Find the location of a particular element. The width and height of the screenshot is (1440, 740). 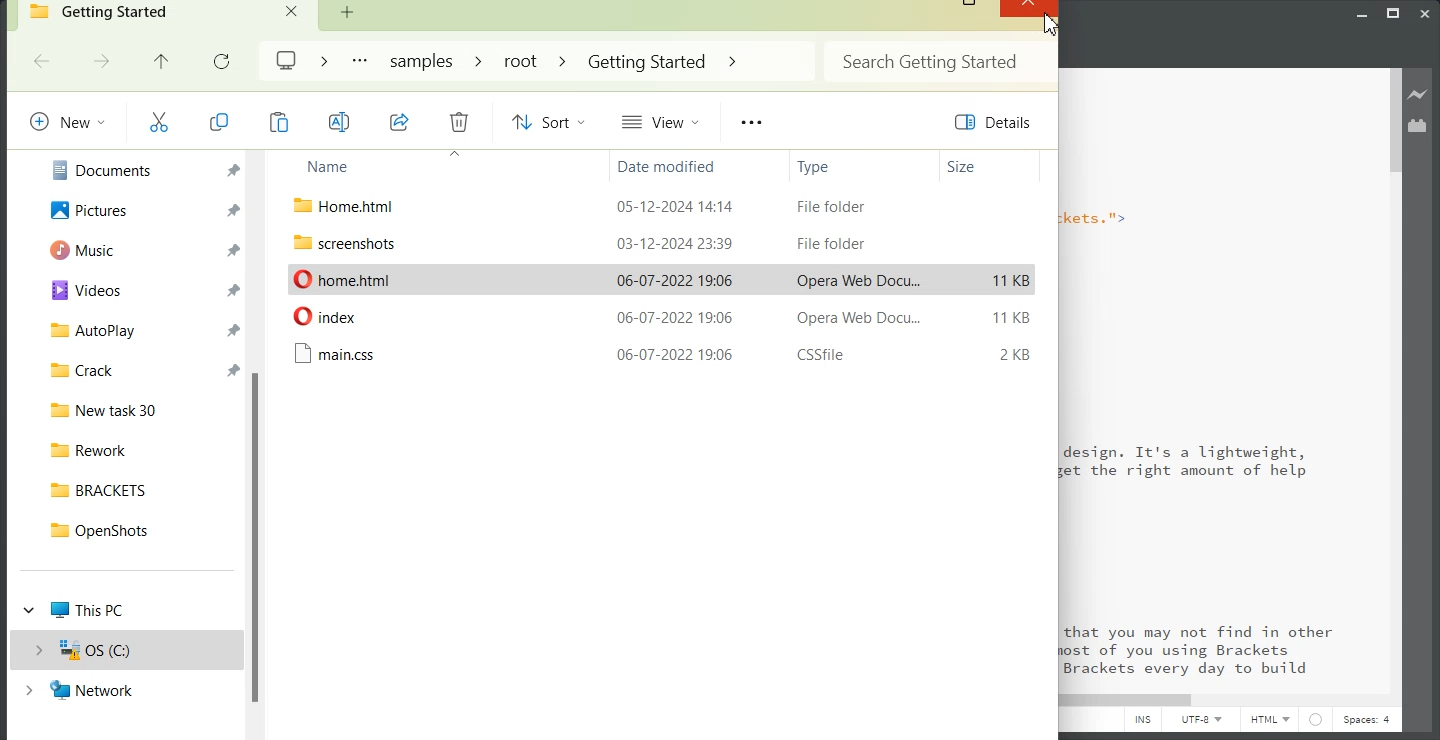

Opera Web Document is located at coordinates (856, 242).